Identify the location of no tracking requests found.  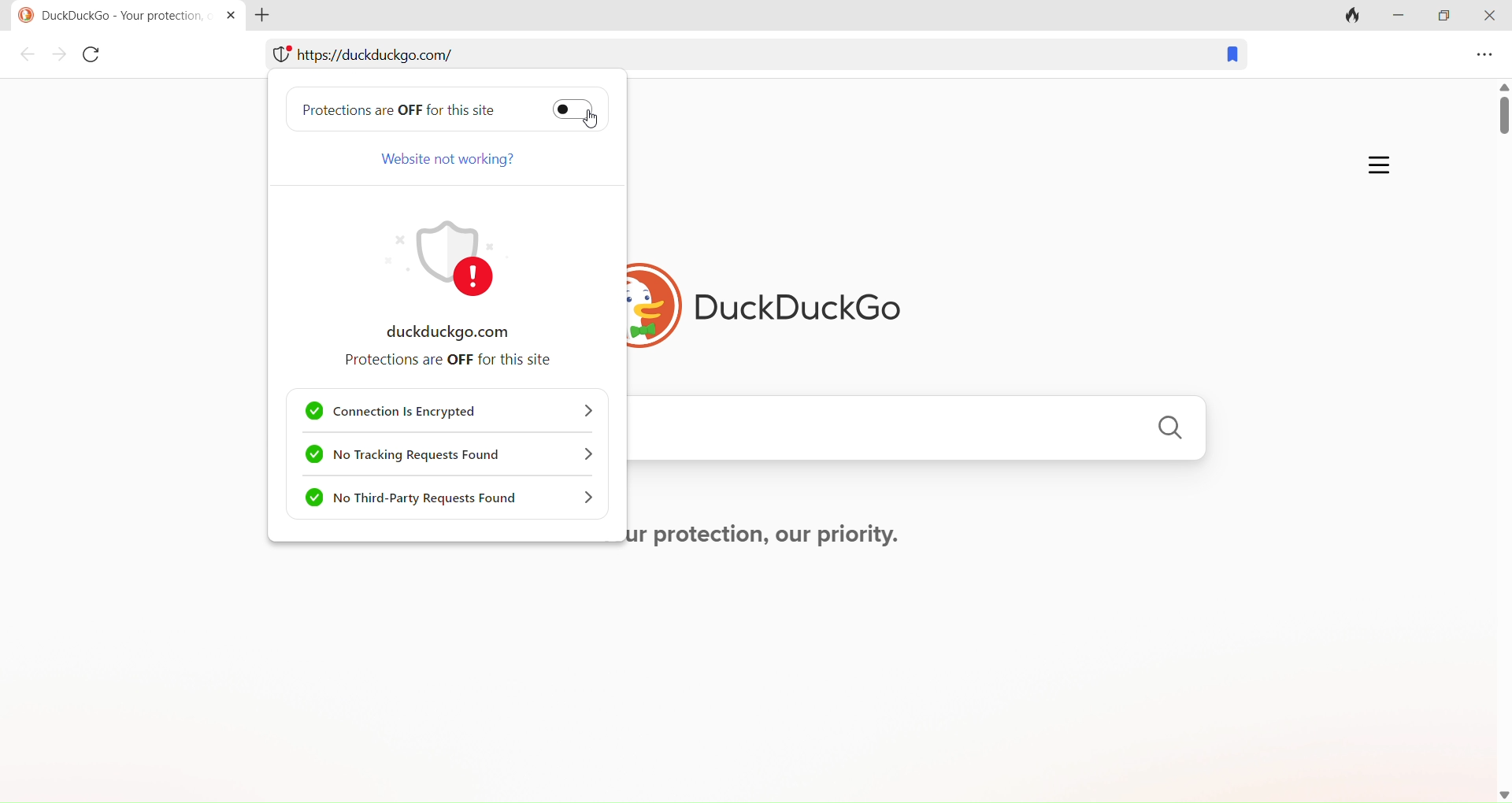
(454, 457).